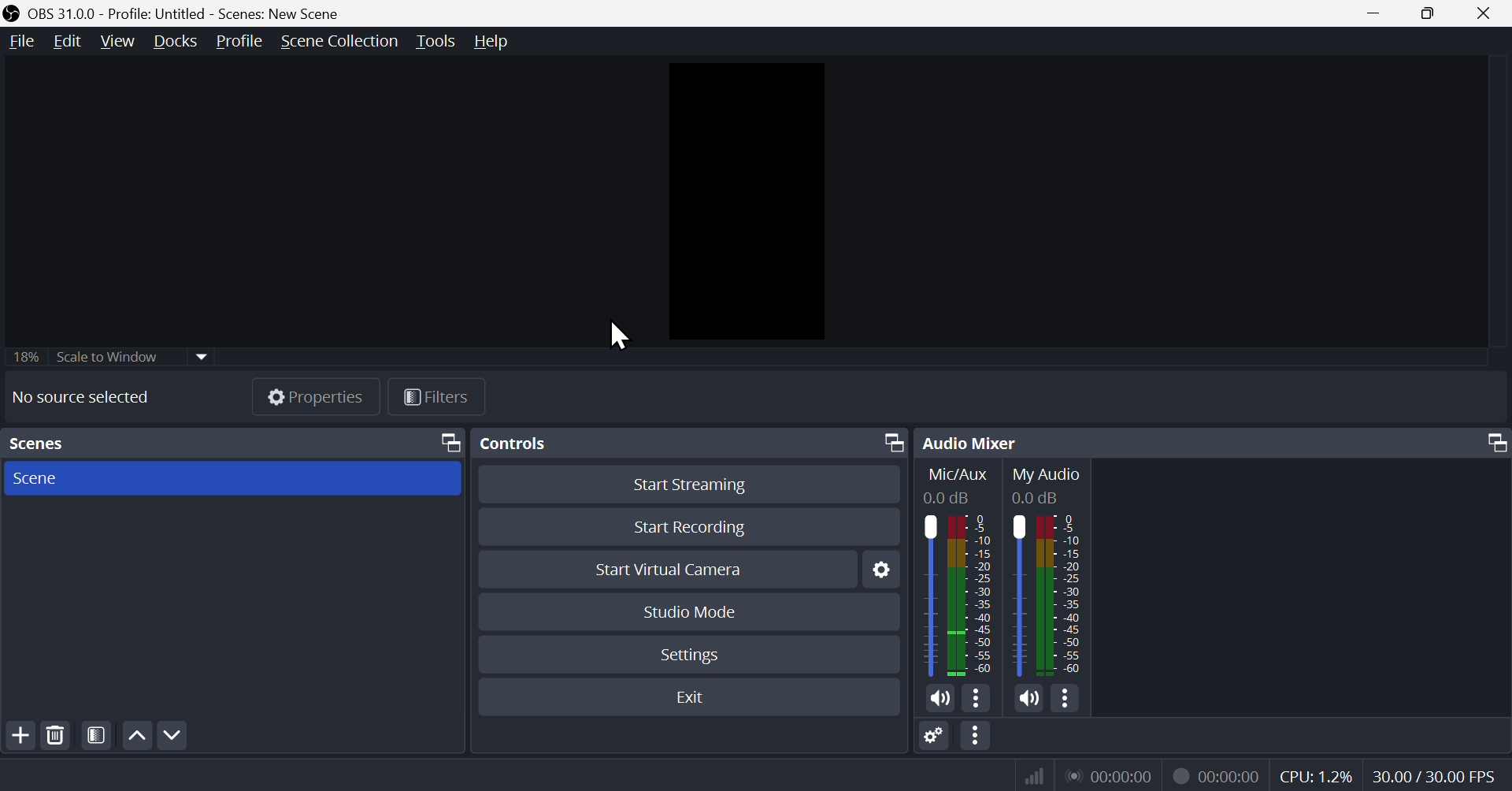  Describe the element at coordinates (1025, 698) in the screenshot. I see `Mute/Unmute` at that location.